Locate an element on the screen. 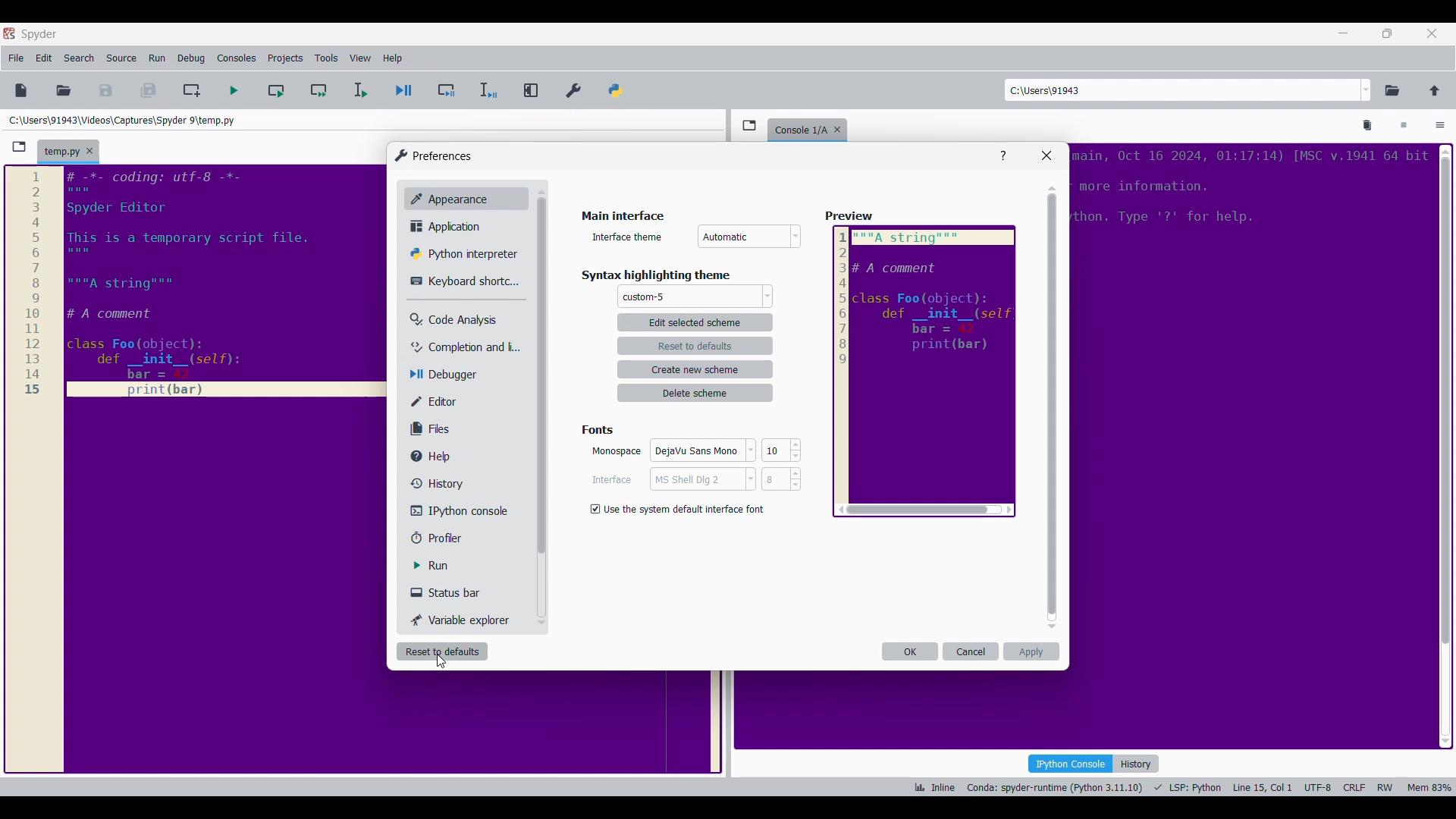  Debug cell is located at coordinates (447, 90).